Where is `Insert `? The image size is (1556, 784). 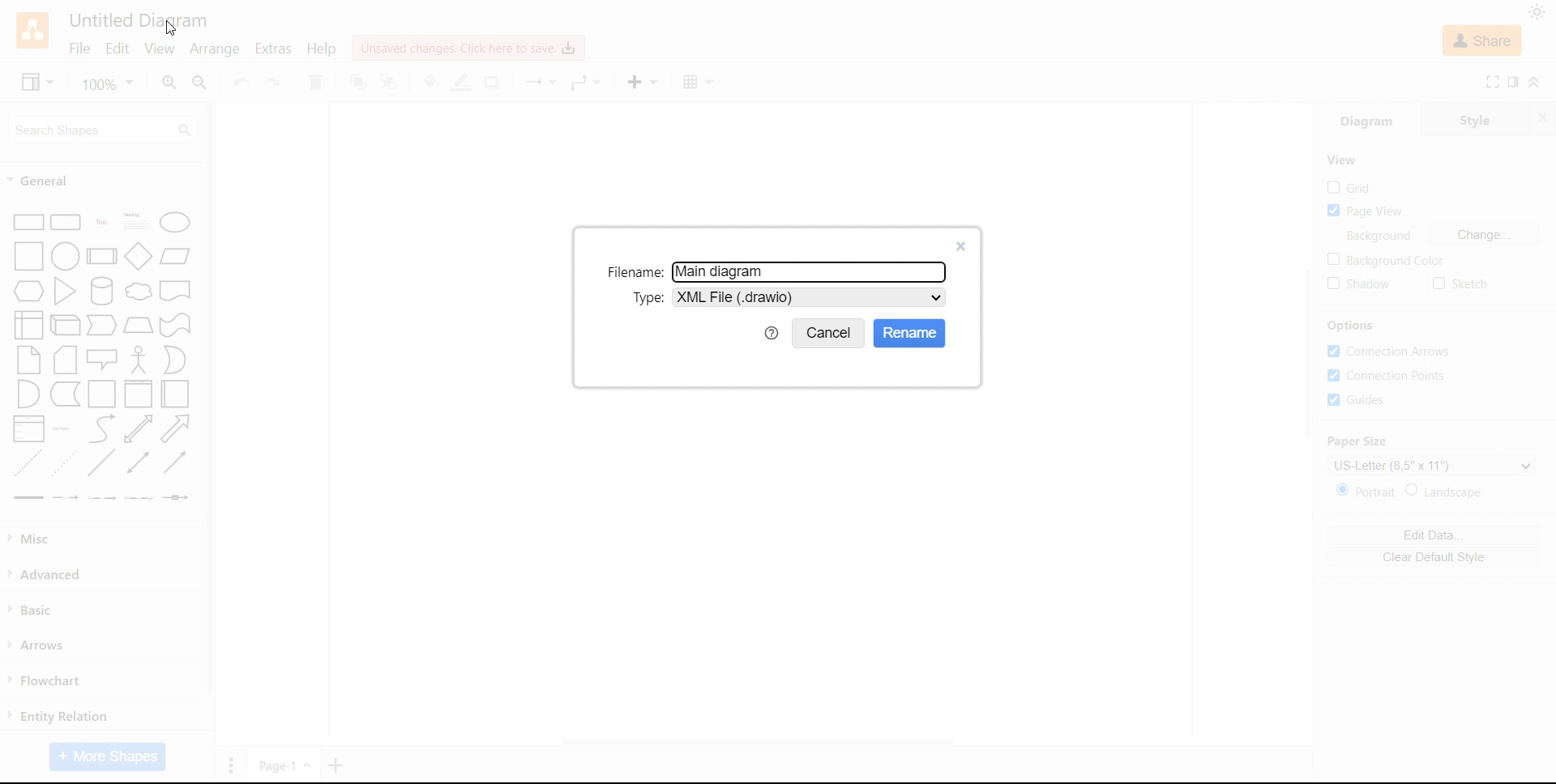 Insert  is located at coordinates (641, 82).